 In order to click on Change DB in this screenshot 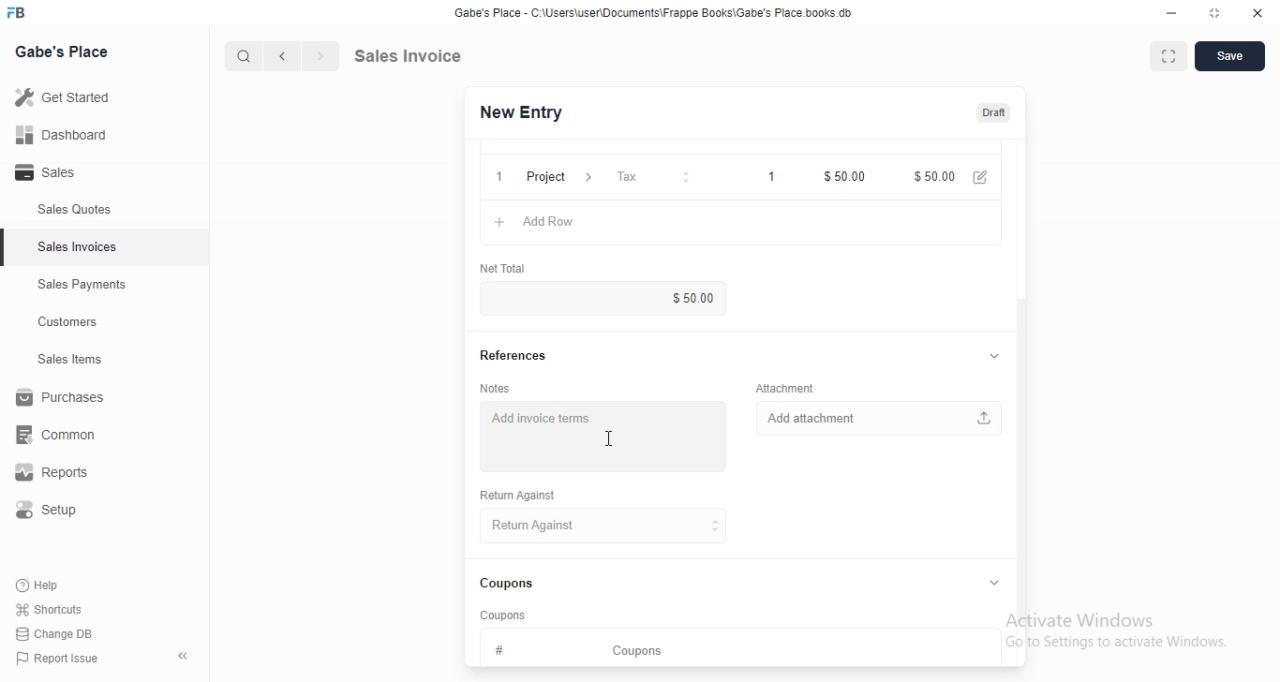, I will do `click(58, 635)`.